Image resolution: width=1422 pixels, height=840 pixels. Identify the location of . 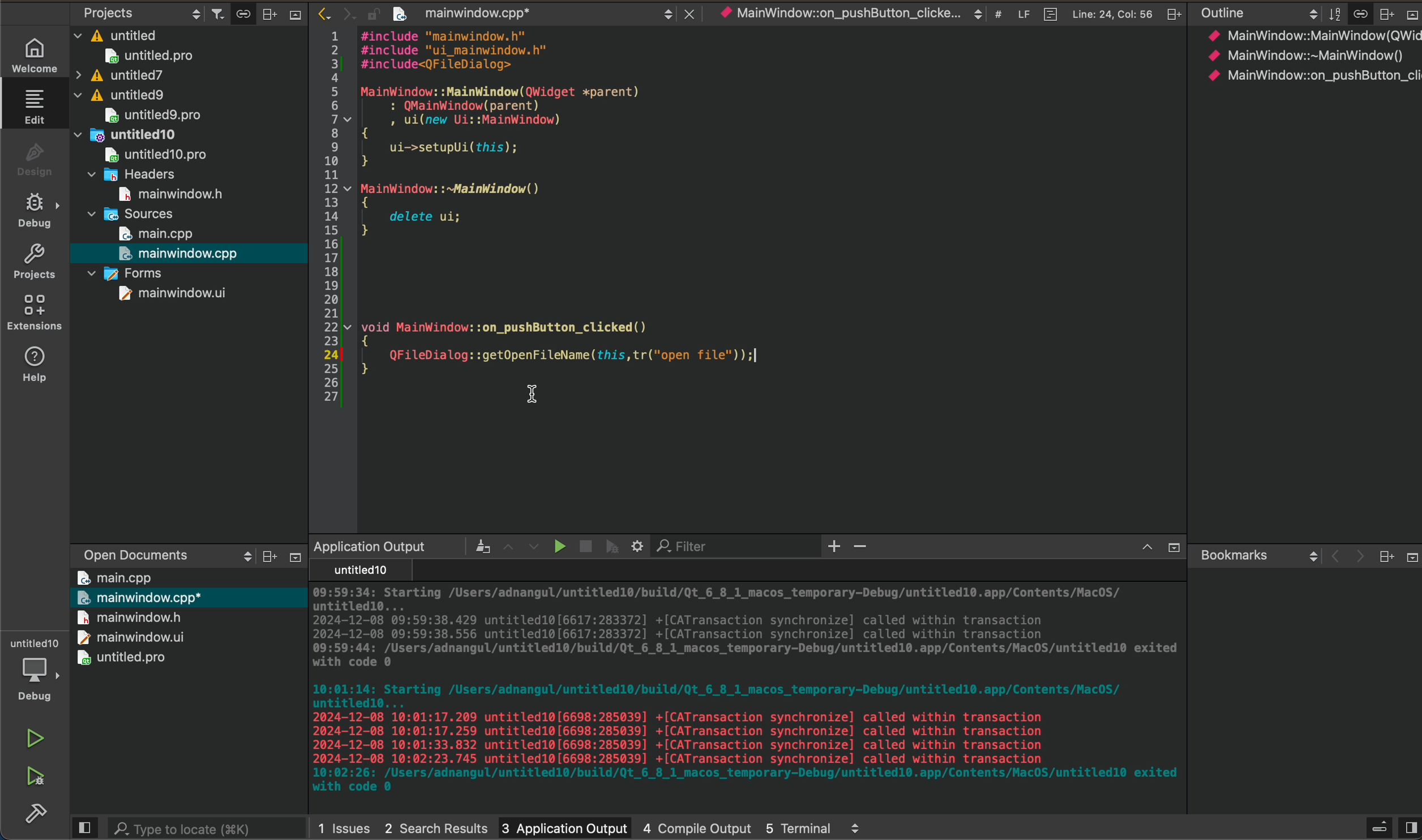
(1171, 548).